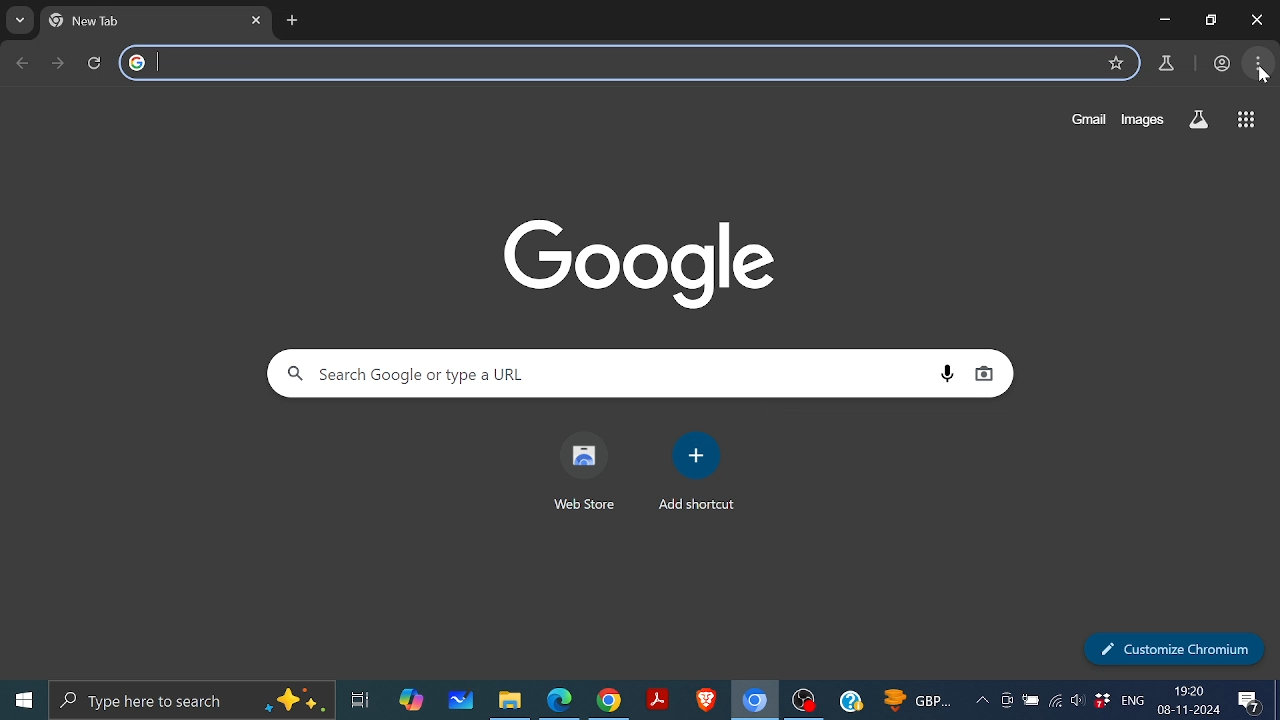 The image size is (1280, 720). I want to click on Meet now, so click(1006, 703).